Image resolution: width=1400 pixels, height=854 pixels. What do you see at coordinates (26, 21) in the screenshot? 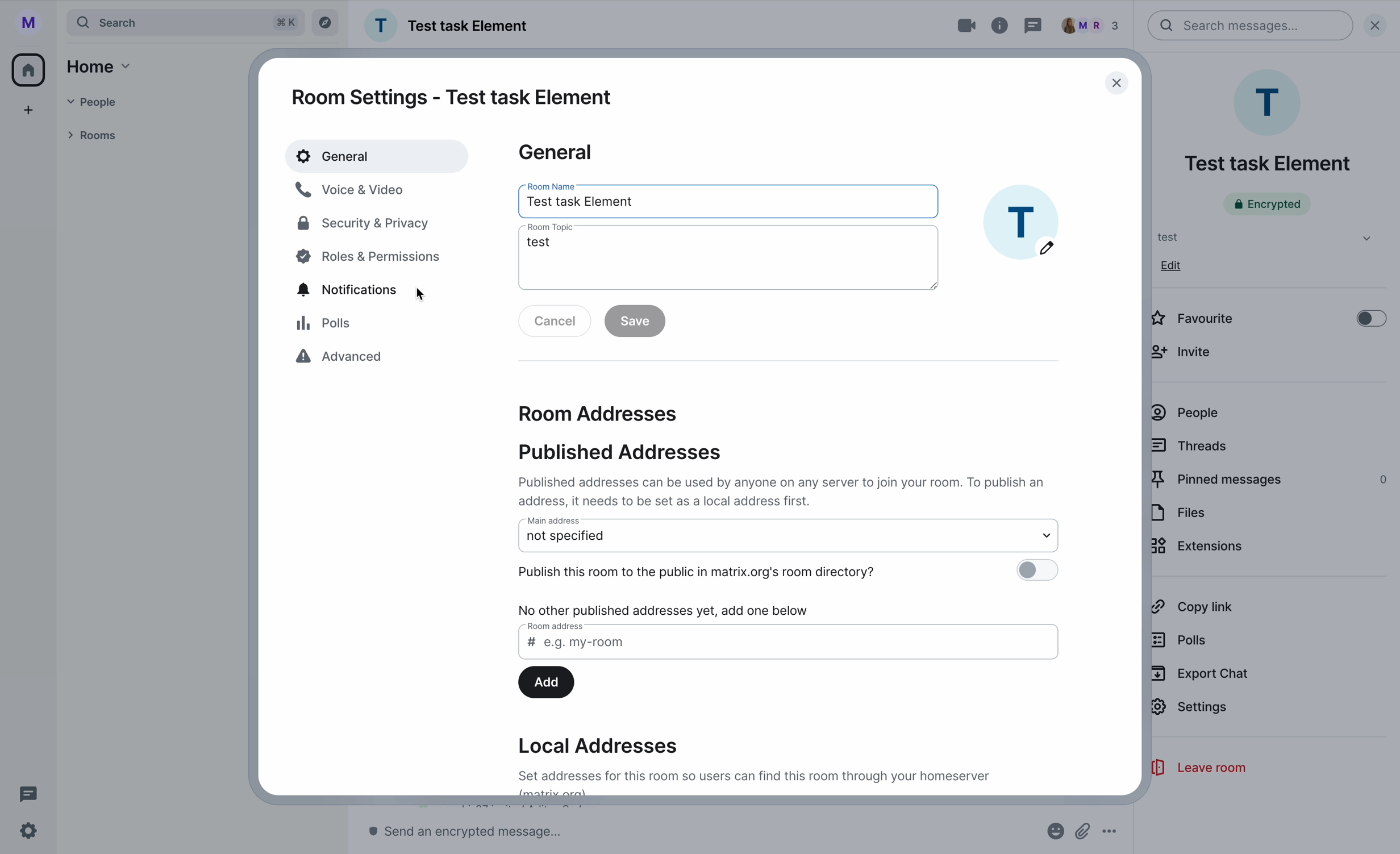
I see `profile` at bounding box center [26, 21].